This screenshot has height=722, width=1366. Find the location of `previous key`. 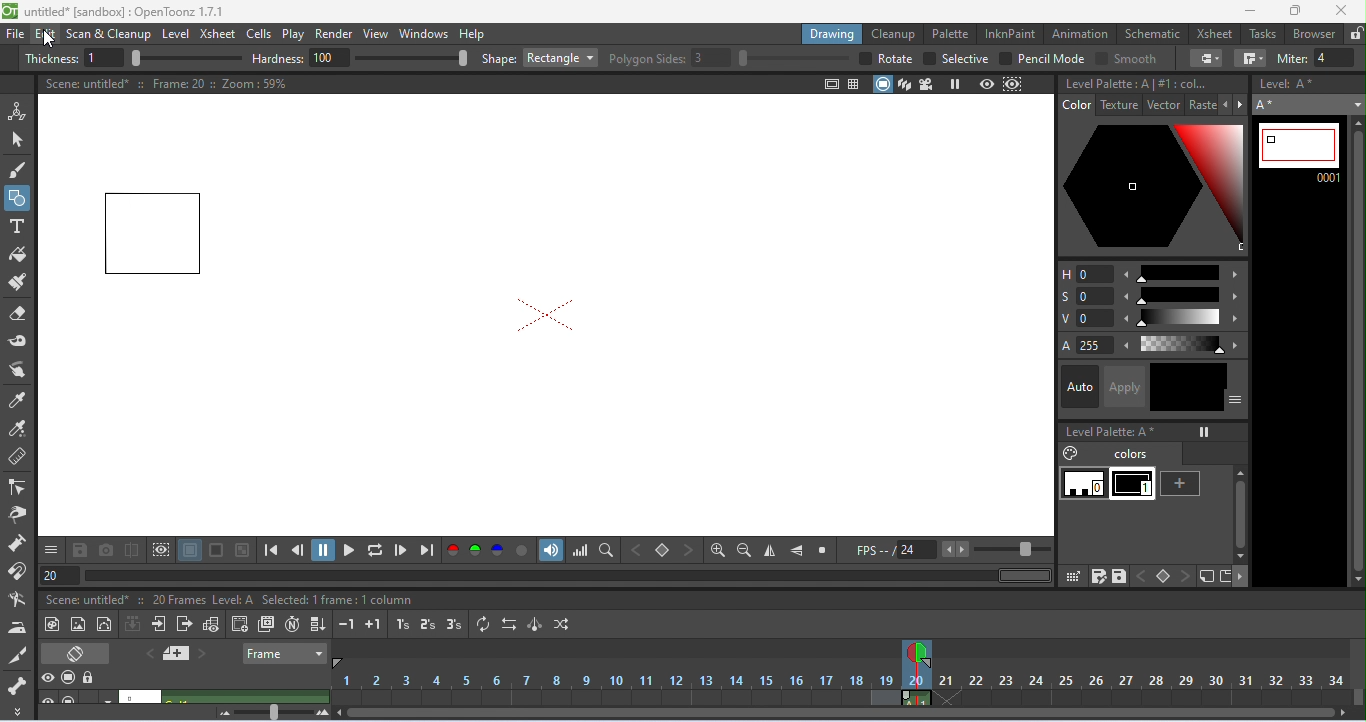

previous key is located at coordinates (1141, 575).